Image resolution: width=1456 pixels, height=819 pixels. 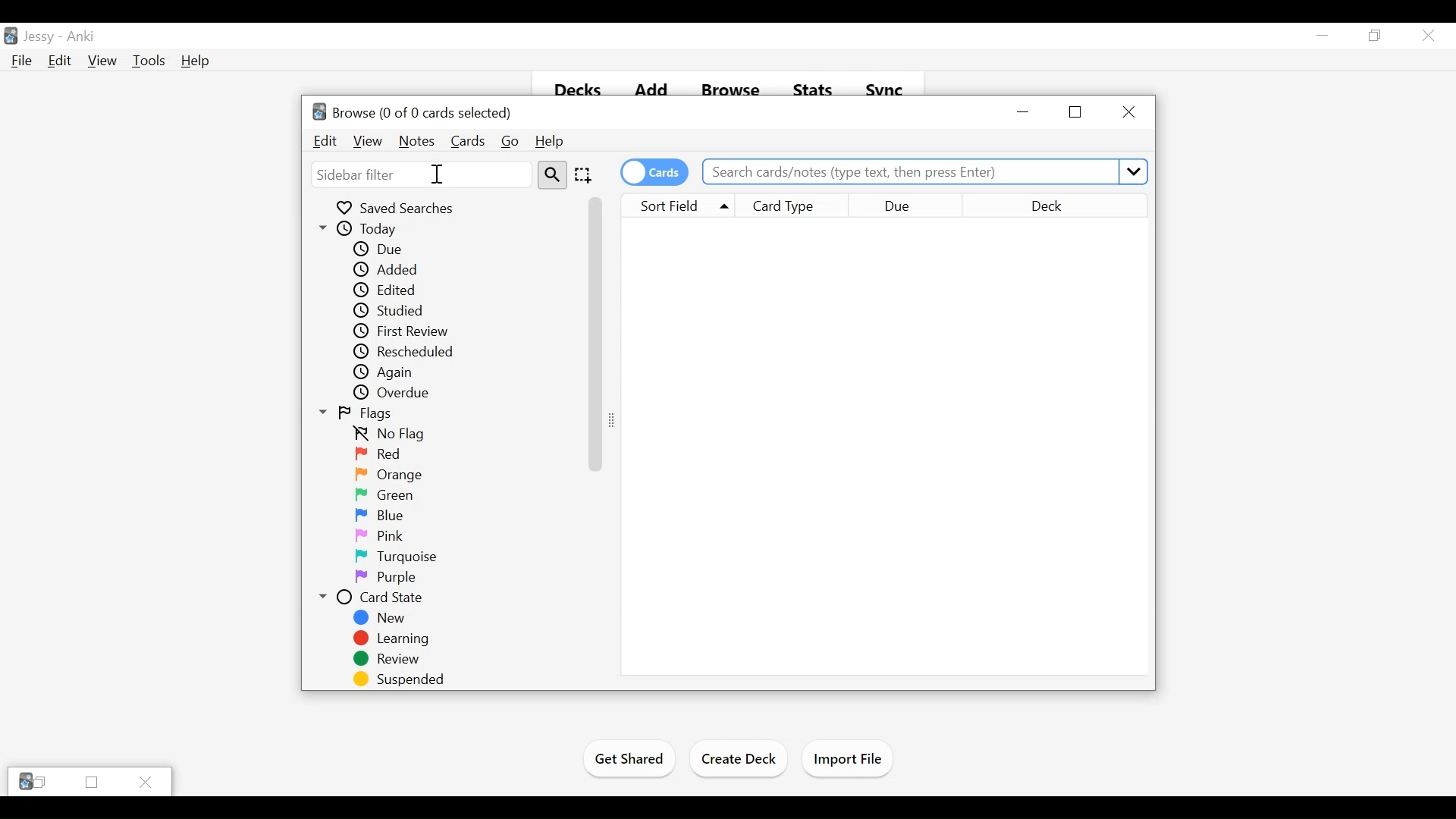 What do you see at coordinates (149, 61) in the screenshot?
I see `Tools` at bounding box center [149, 61].